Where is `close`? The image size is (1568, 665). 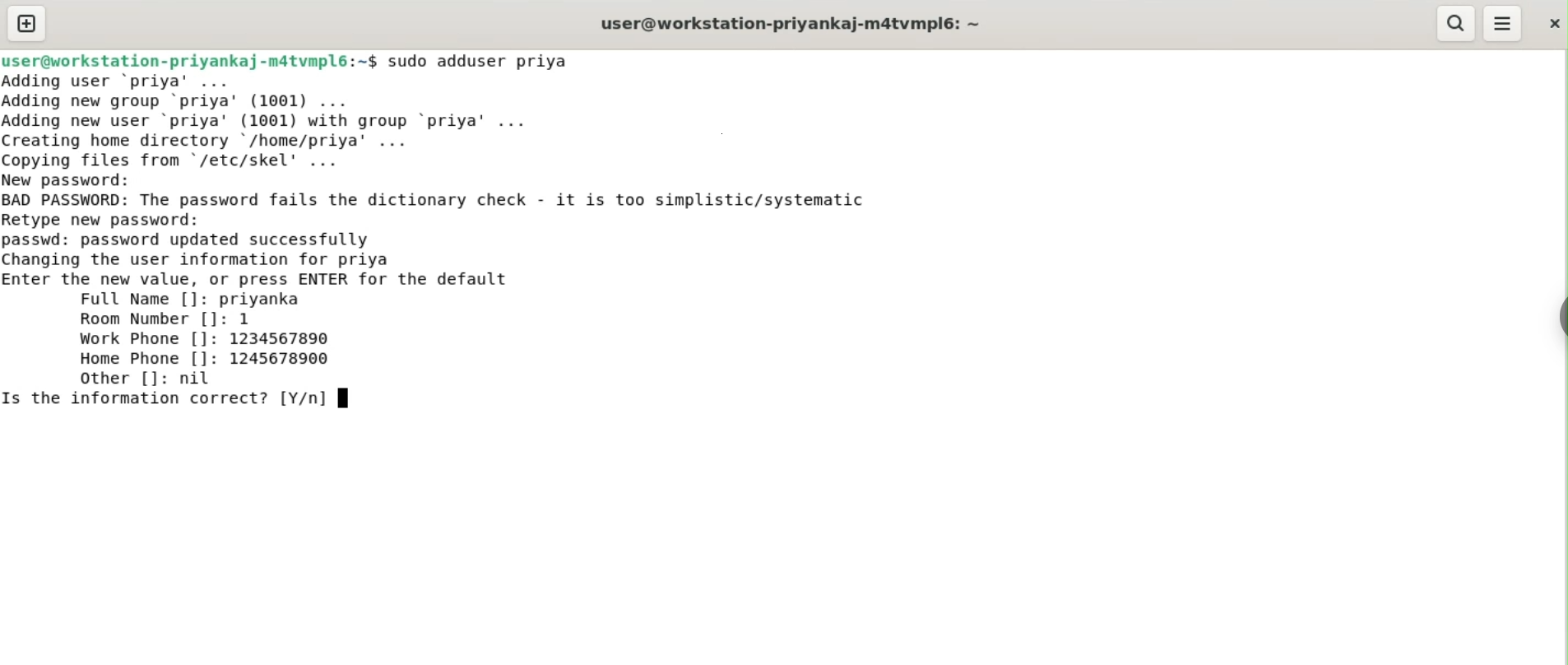 close is located at coordinates (1552, 23).